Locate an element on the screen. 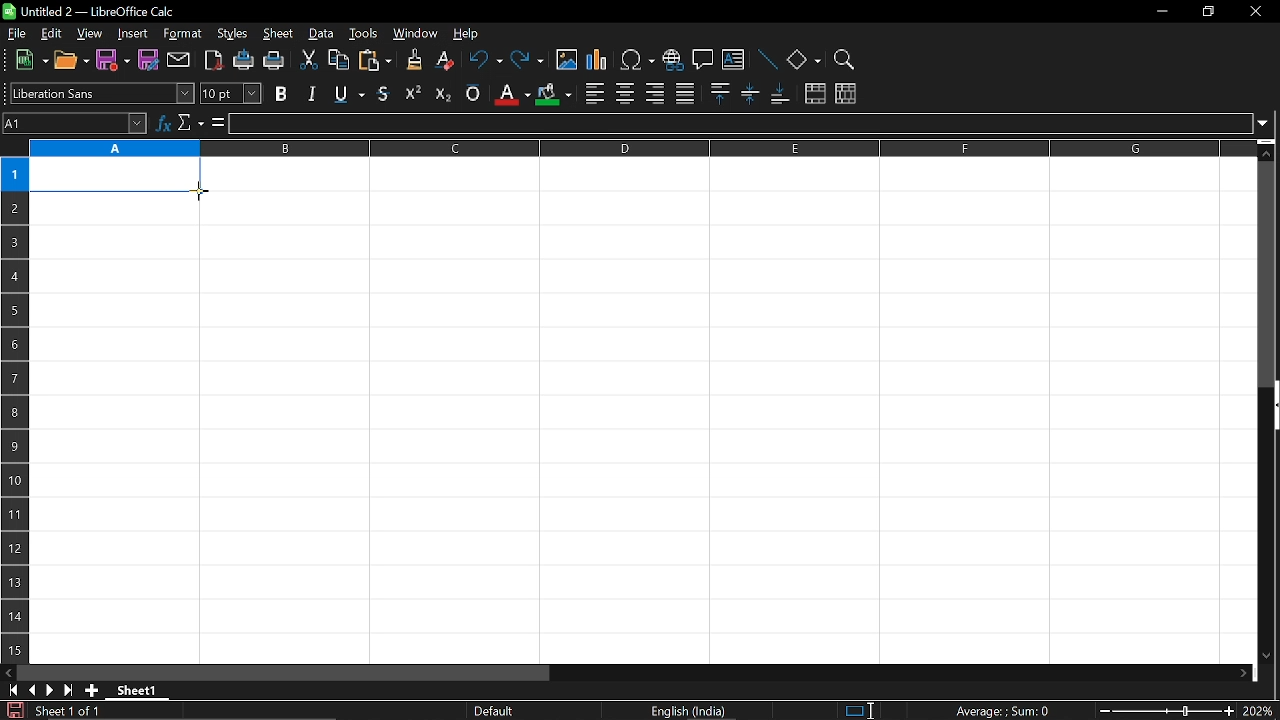 The width and height of the screenshot is (1280, 720). English (India) is located at coordinates (690, 711).